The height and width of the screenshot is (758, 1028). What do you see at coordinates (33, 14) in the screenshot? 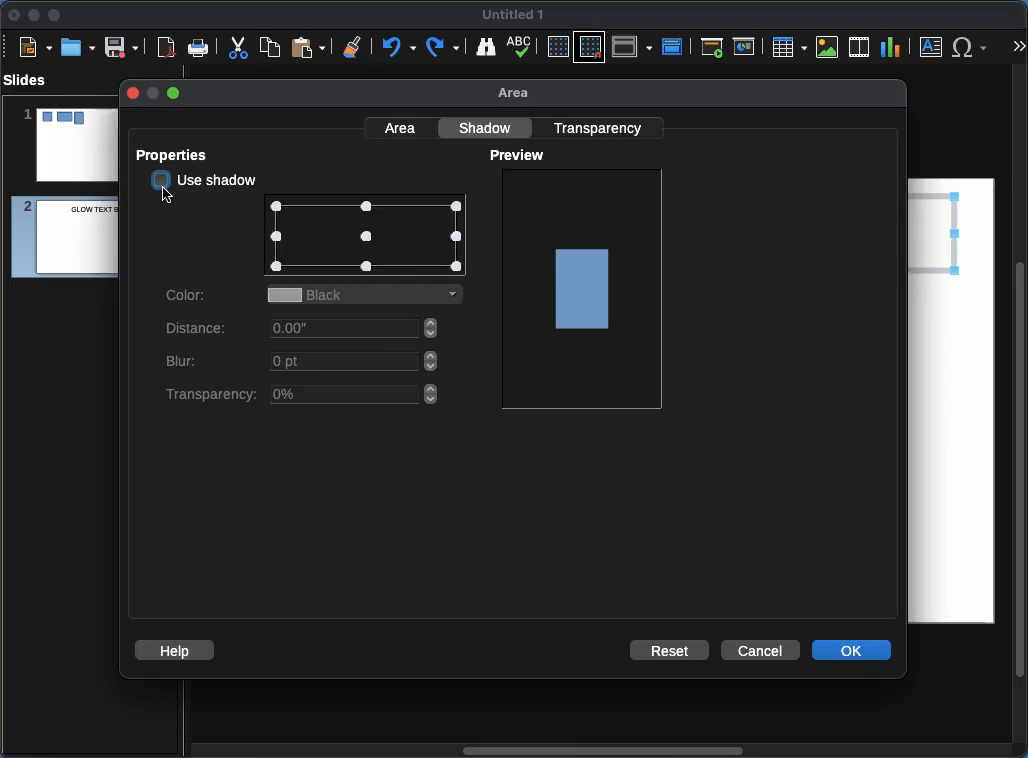
I see `Minimize` at bounding box center [33, 14].